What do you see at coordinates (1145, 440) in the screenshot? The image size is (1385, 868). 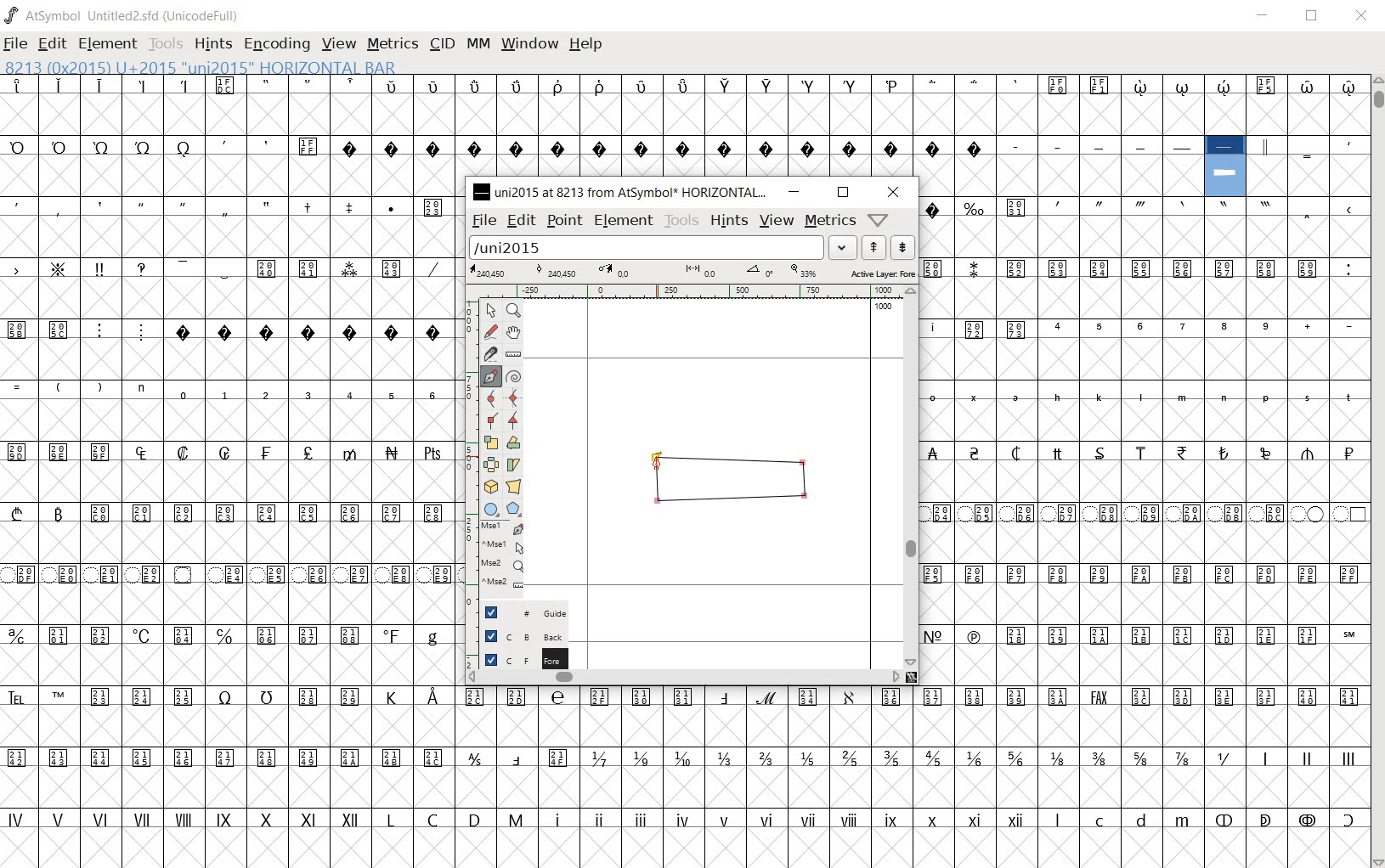 I see `glyph characters` at bounding box center [1145, 440].